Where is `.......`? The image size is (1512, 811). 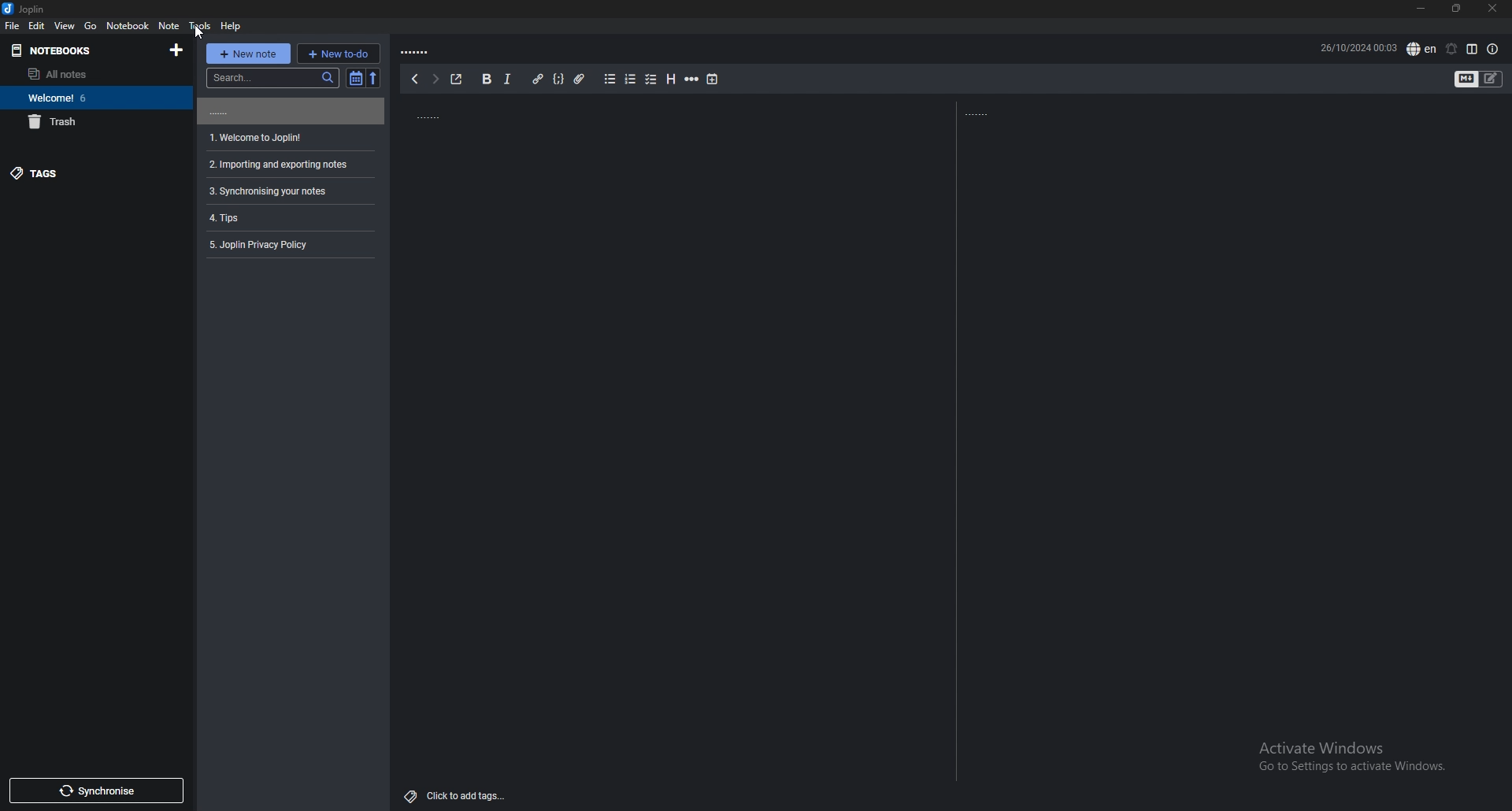
....... is located at coordinates (986, 113).